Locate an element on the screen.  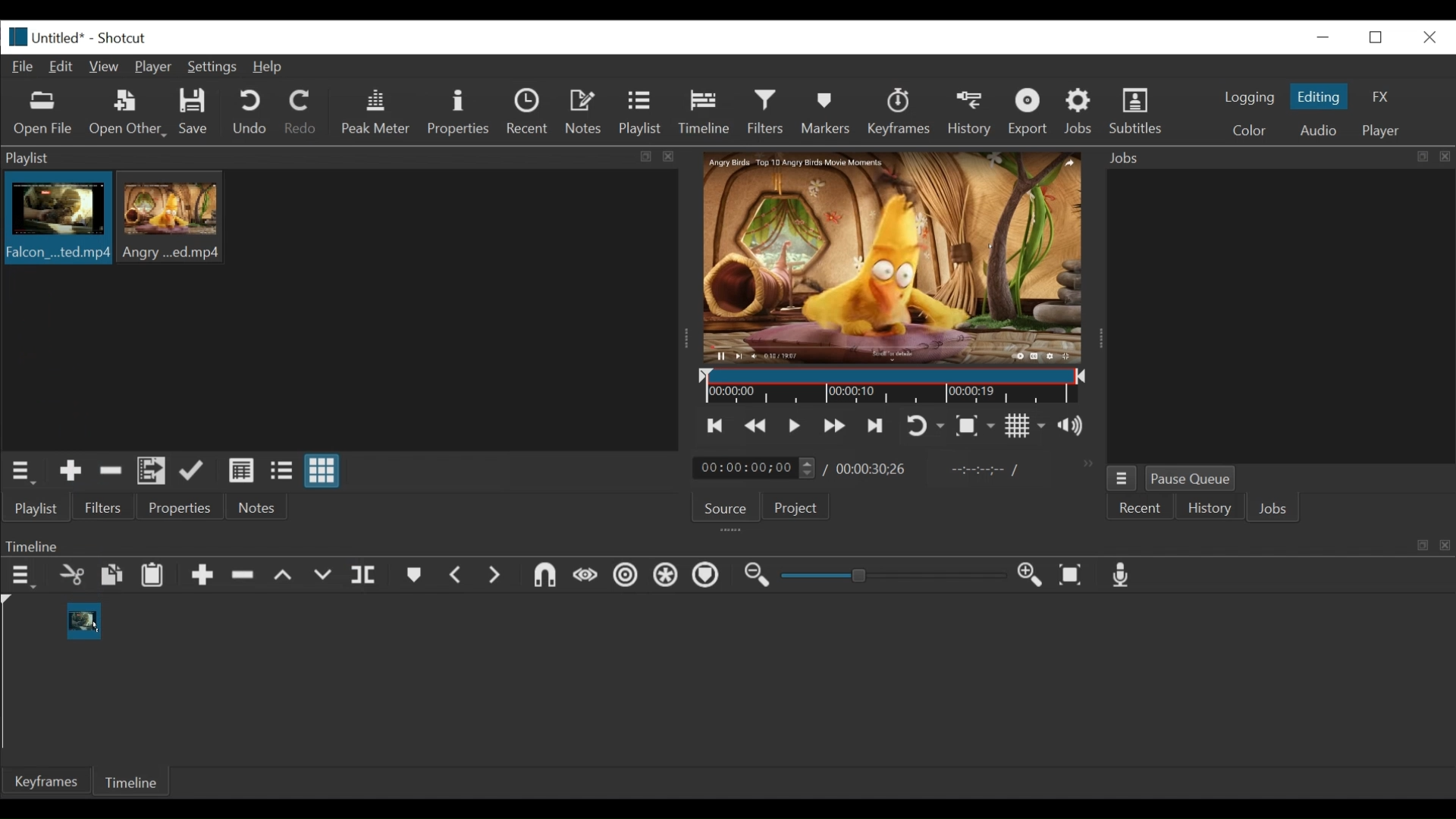
current duration is located at coordinates (756, 469).